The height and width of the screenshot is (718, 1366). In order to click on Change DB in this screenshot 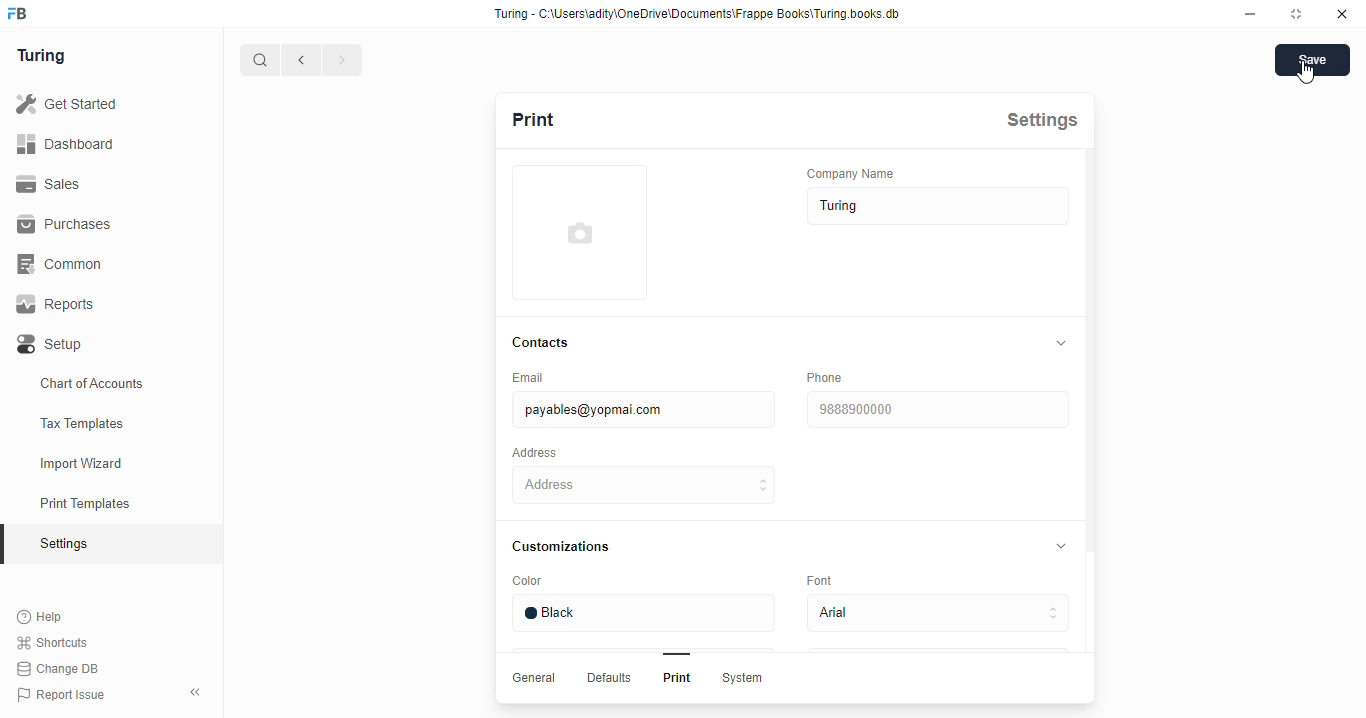, I will do `click(57, 669)`.